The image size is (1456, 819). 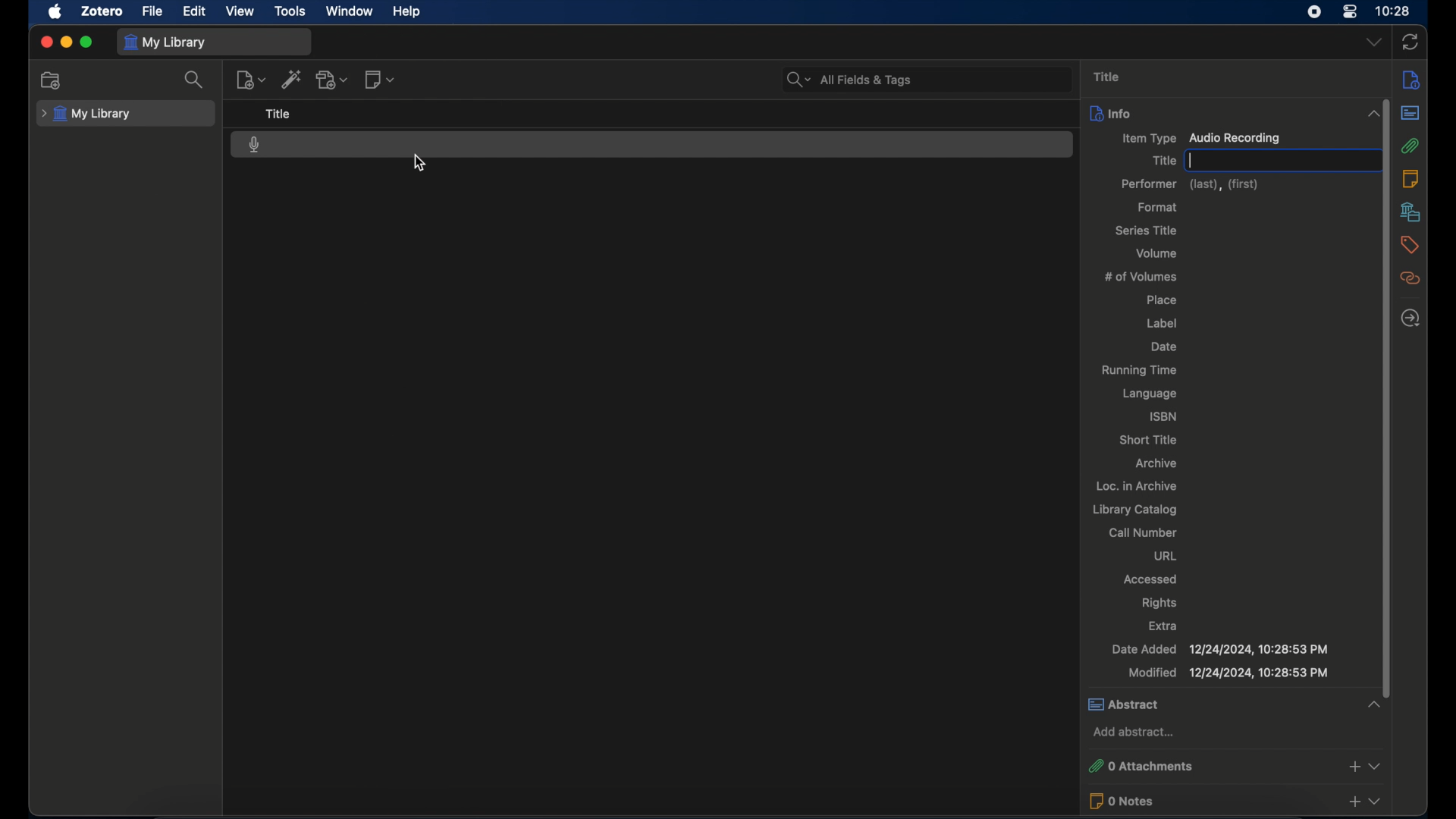 I want to click on format, so click(x=1159, y=207).